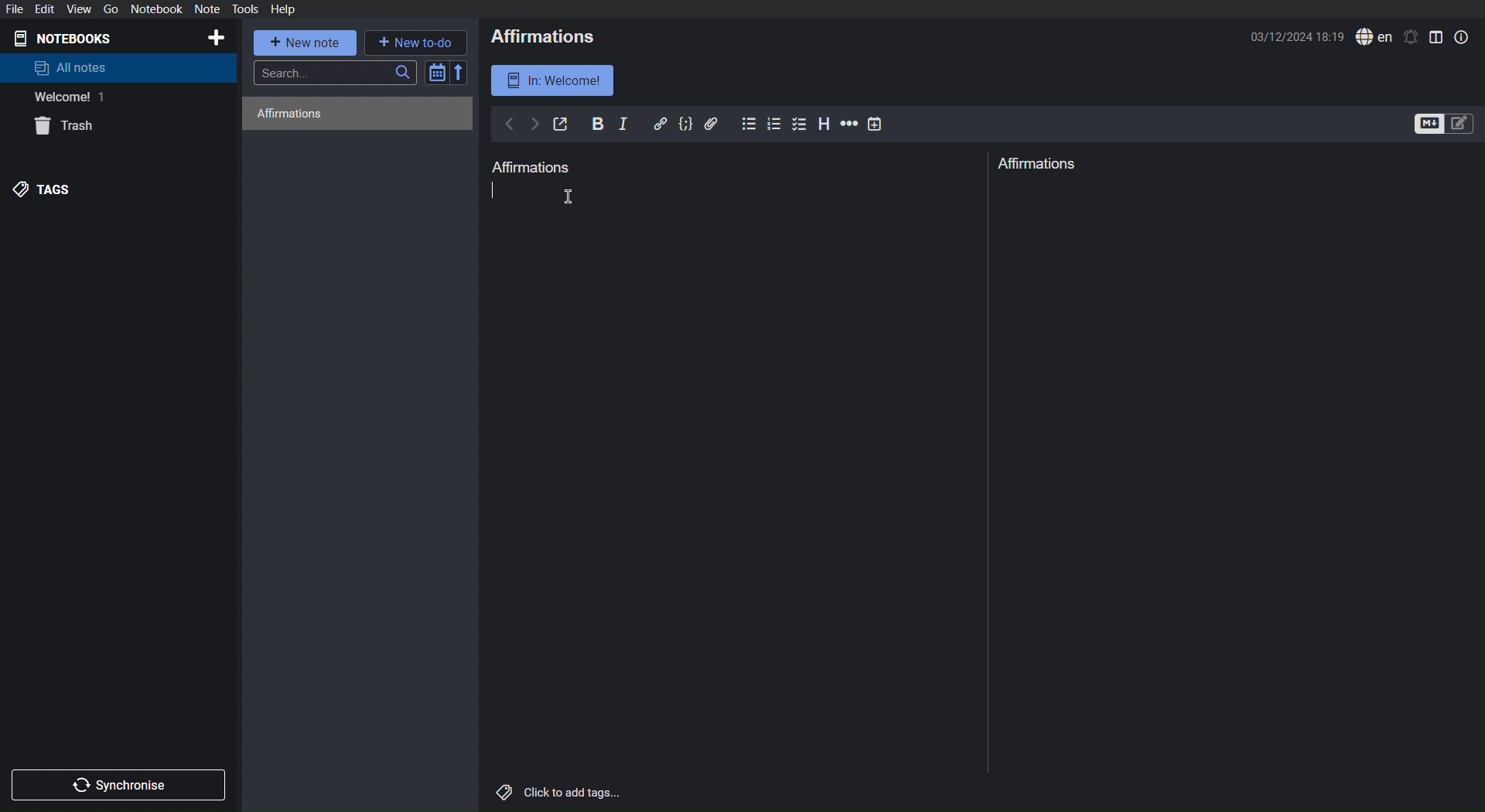 The width and height of the screenshot is (1485, 812). Describe the element at coordinates (1374, 37) in the screenshot. I see `English` at that location.